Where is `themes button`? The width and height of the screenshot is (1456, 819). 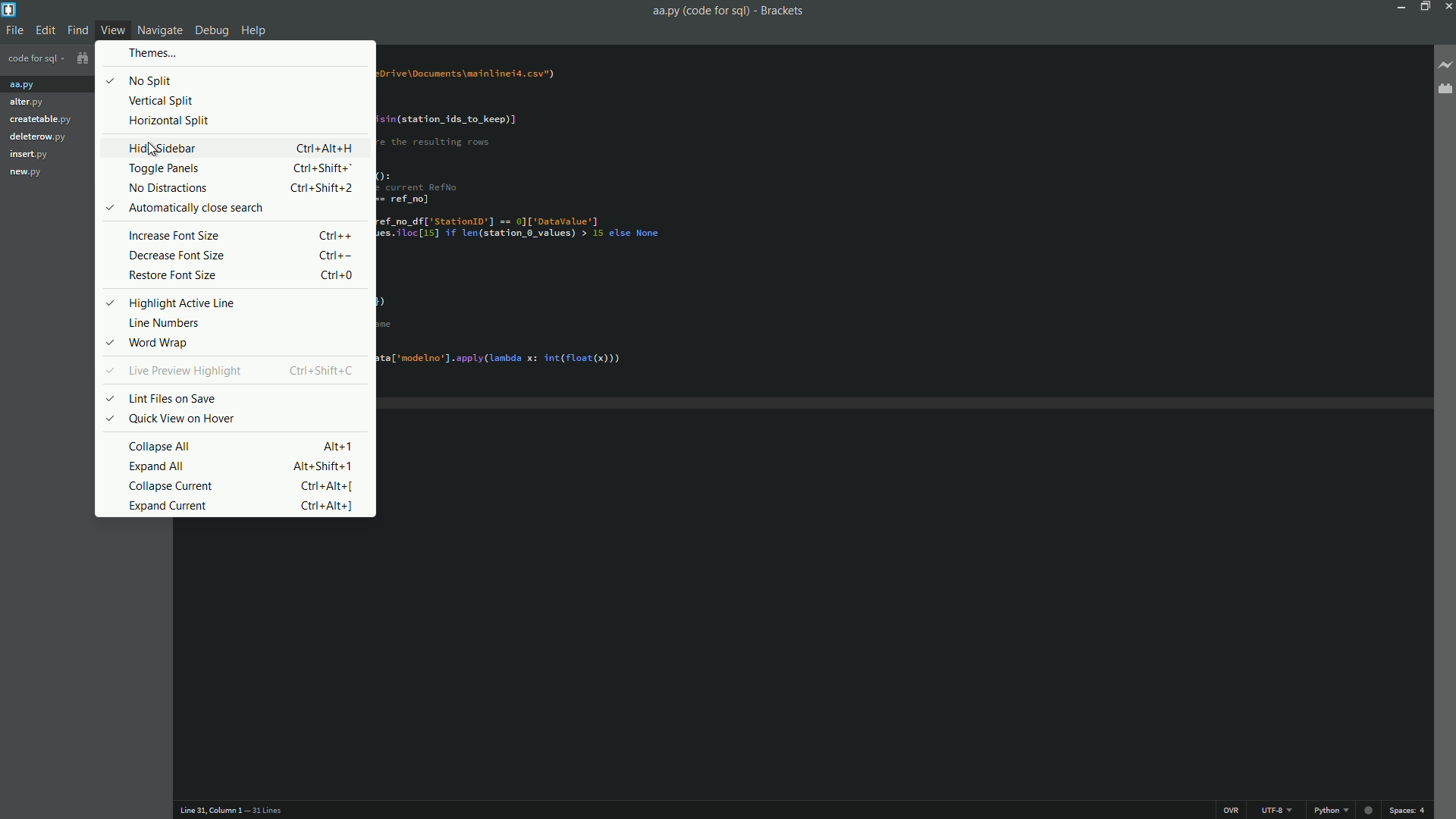 themes button is located at coordinates (149, 54).